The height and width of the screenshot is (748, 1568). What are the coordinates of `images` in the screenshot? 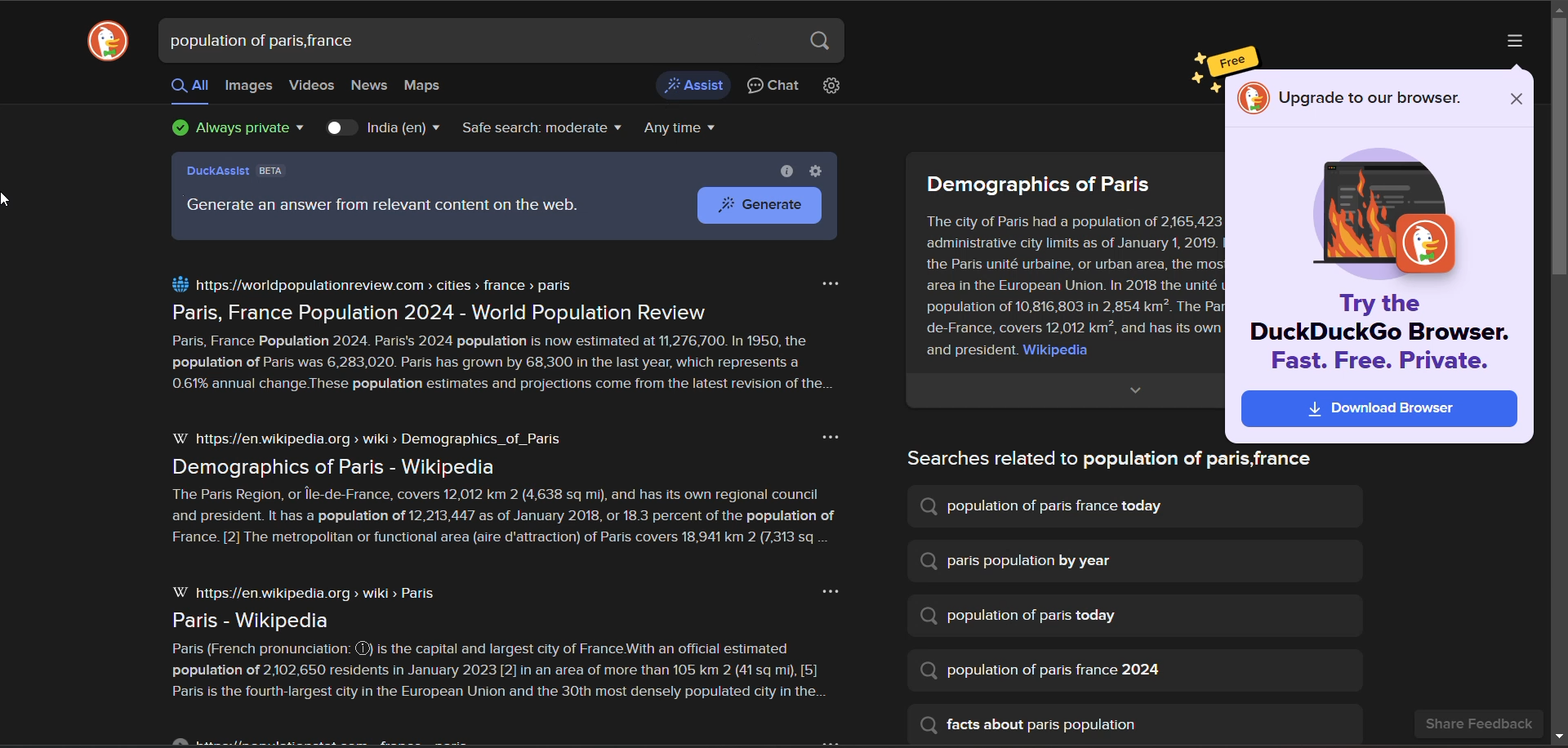 It's located at (249, 87).